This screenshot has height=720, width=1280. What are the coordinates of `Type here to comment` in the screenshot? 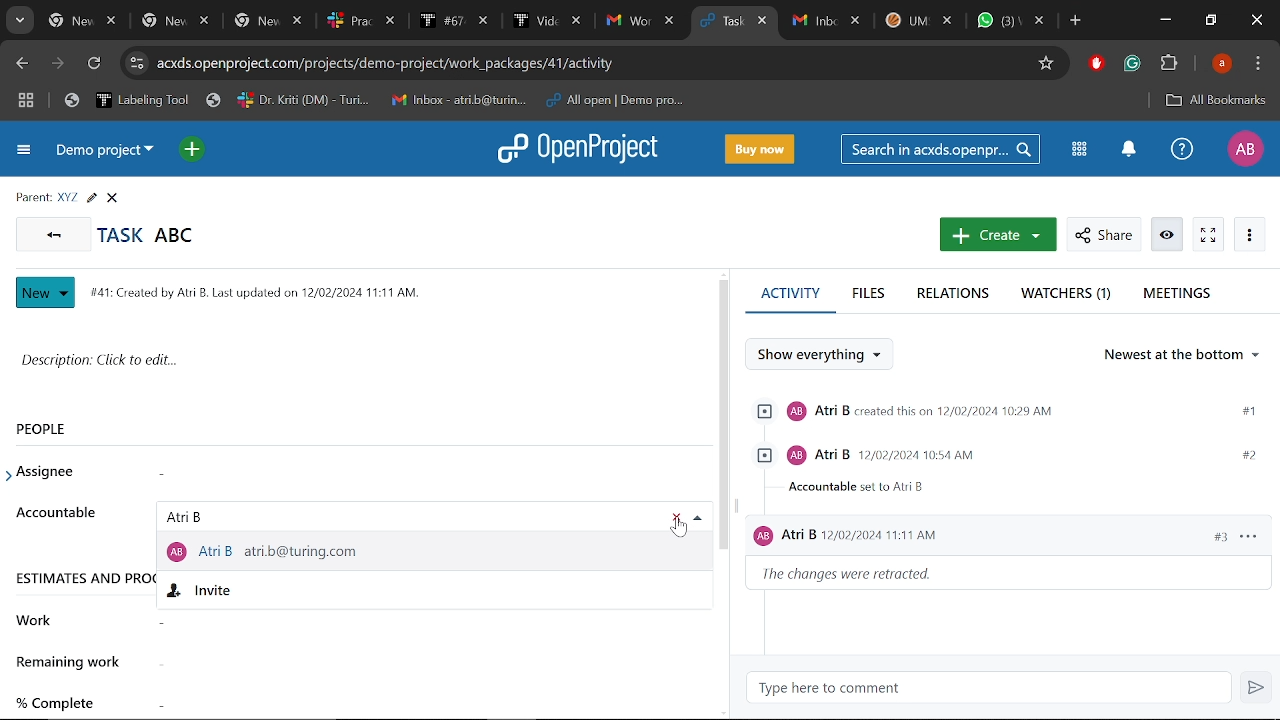 It's located at (824, 690).